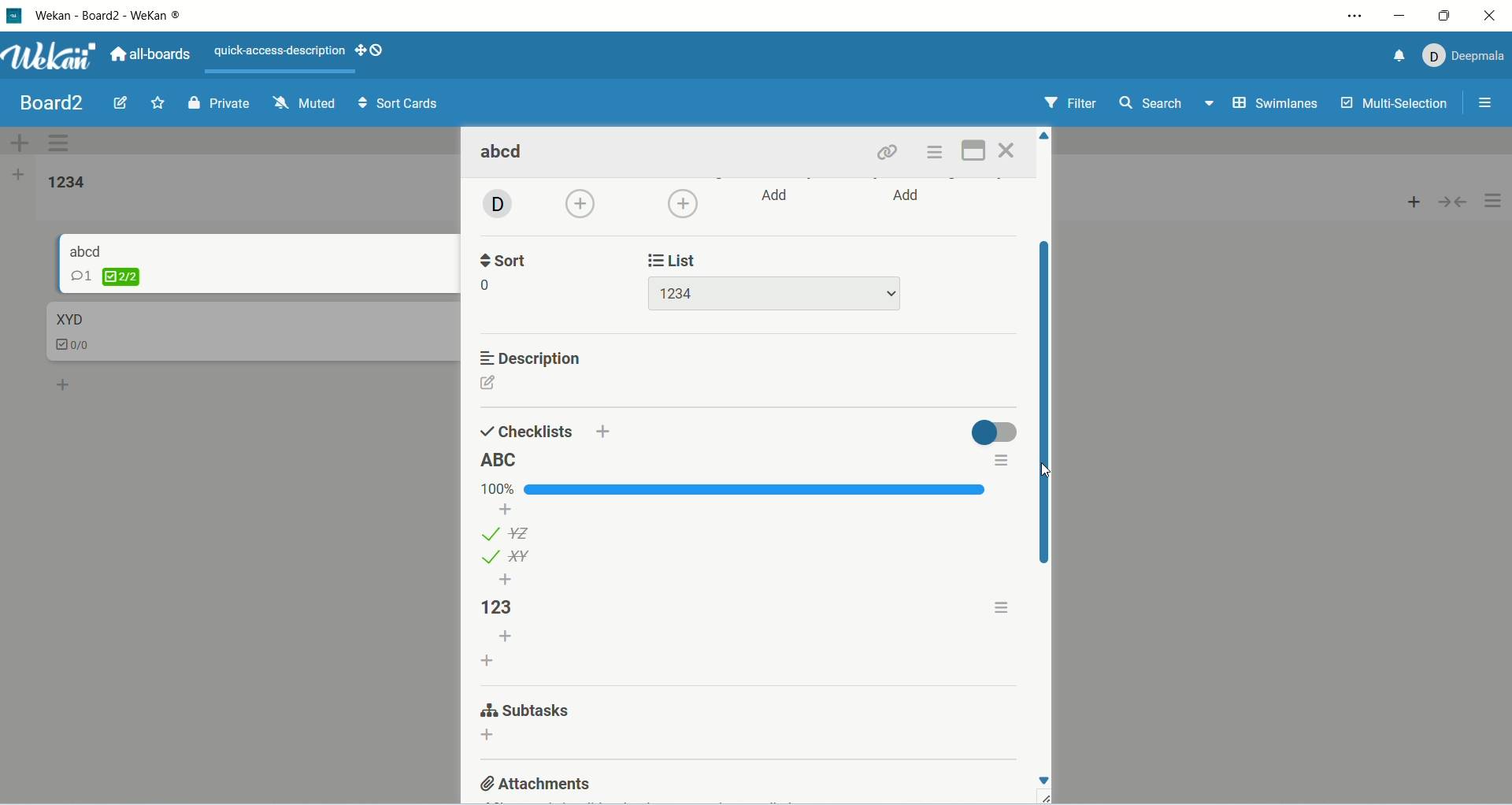 Image resolution: width=1512 pixels, height=805 pixels. What do you see at coordinates (489, 383) in the screenshot?
I see `edit` at bounding box center [489, 383].